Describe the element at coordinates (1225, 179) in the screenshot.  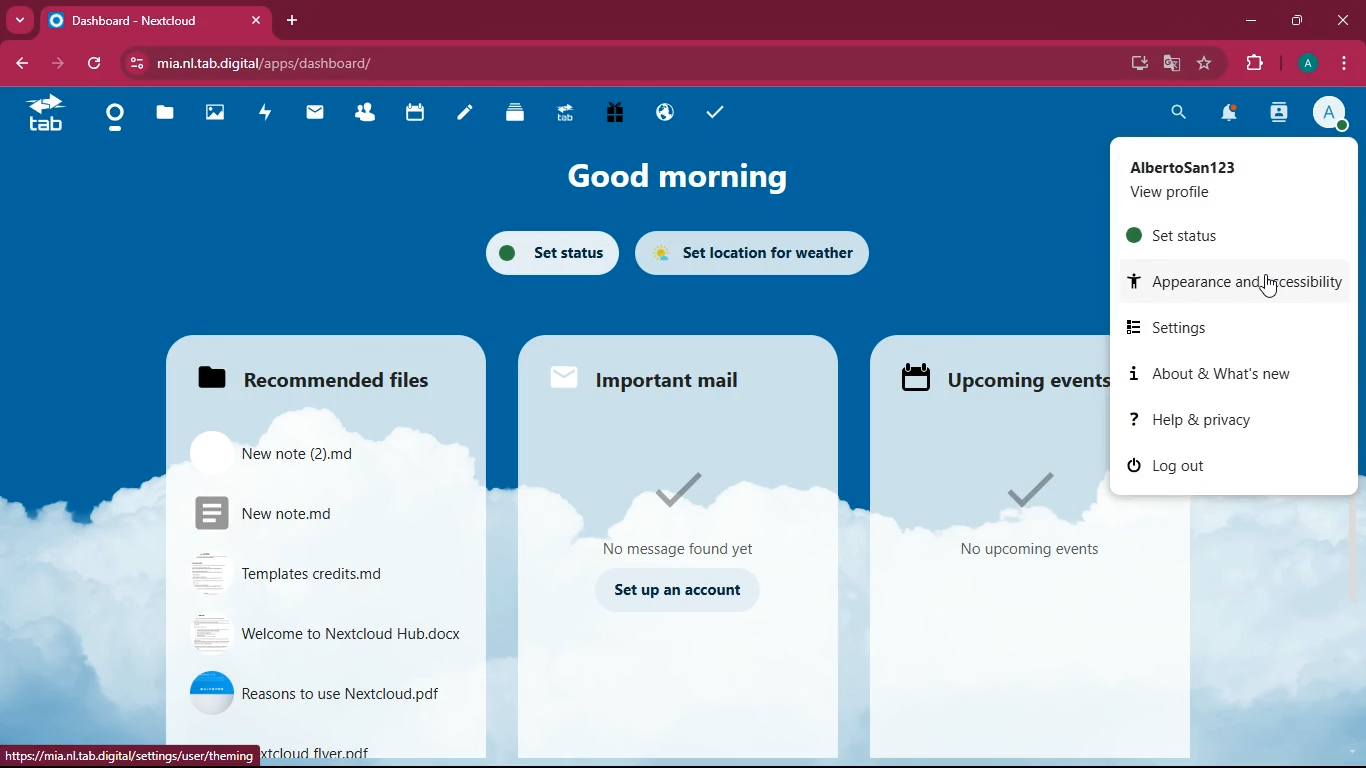
I see `profile` at that location.